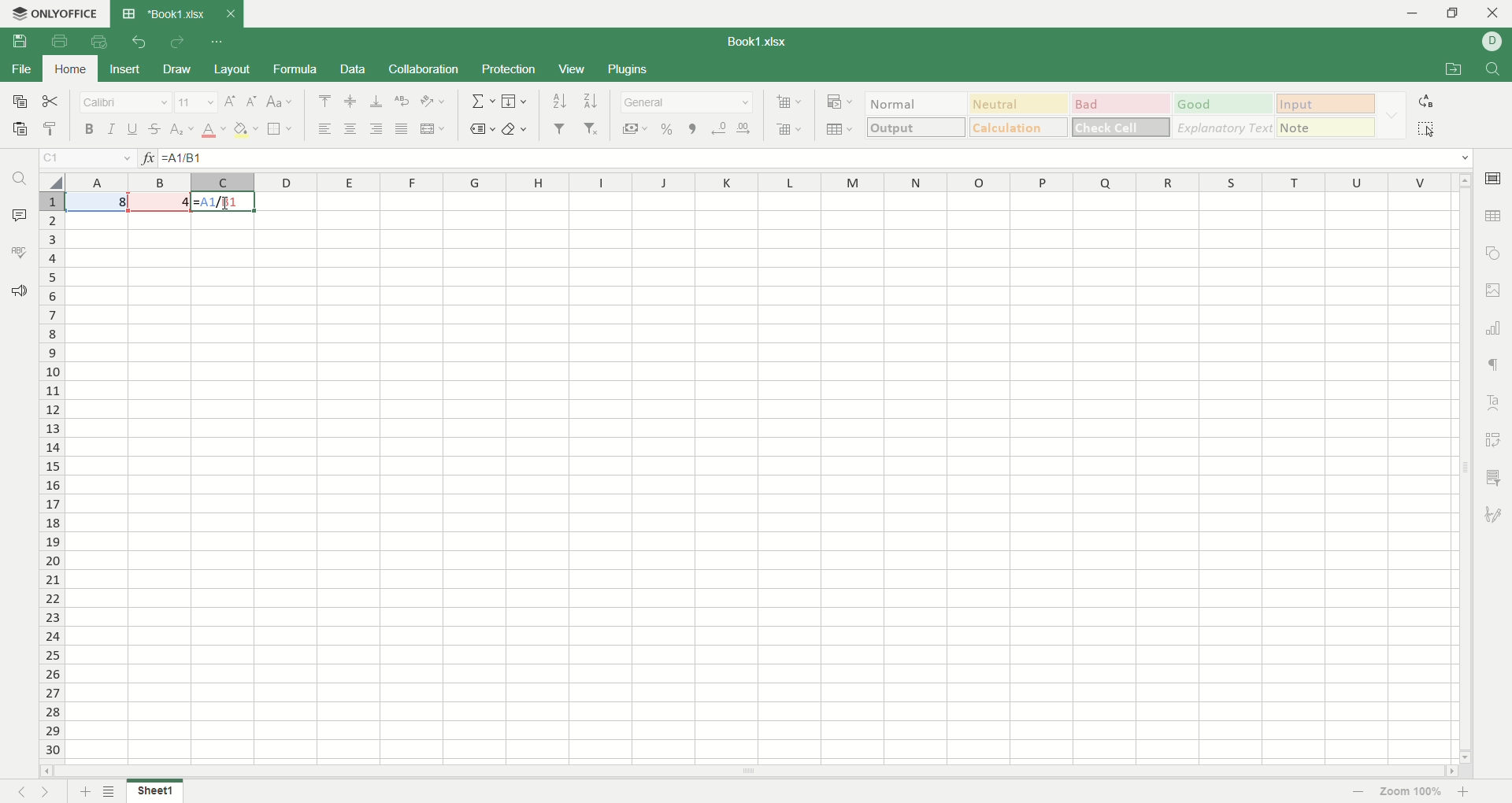 This screenshot has height=803, width=1512. Describe the element at coordinates (1020, 104) in the screenshot. I see `neutral` at that location.